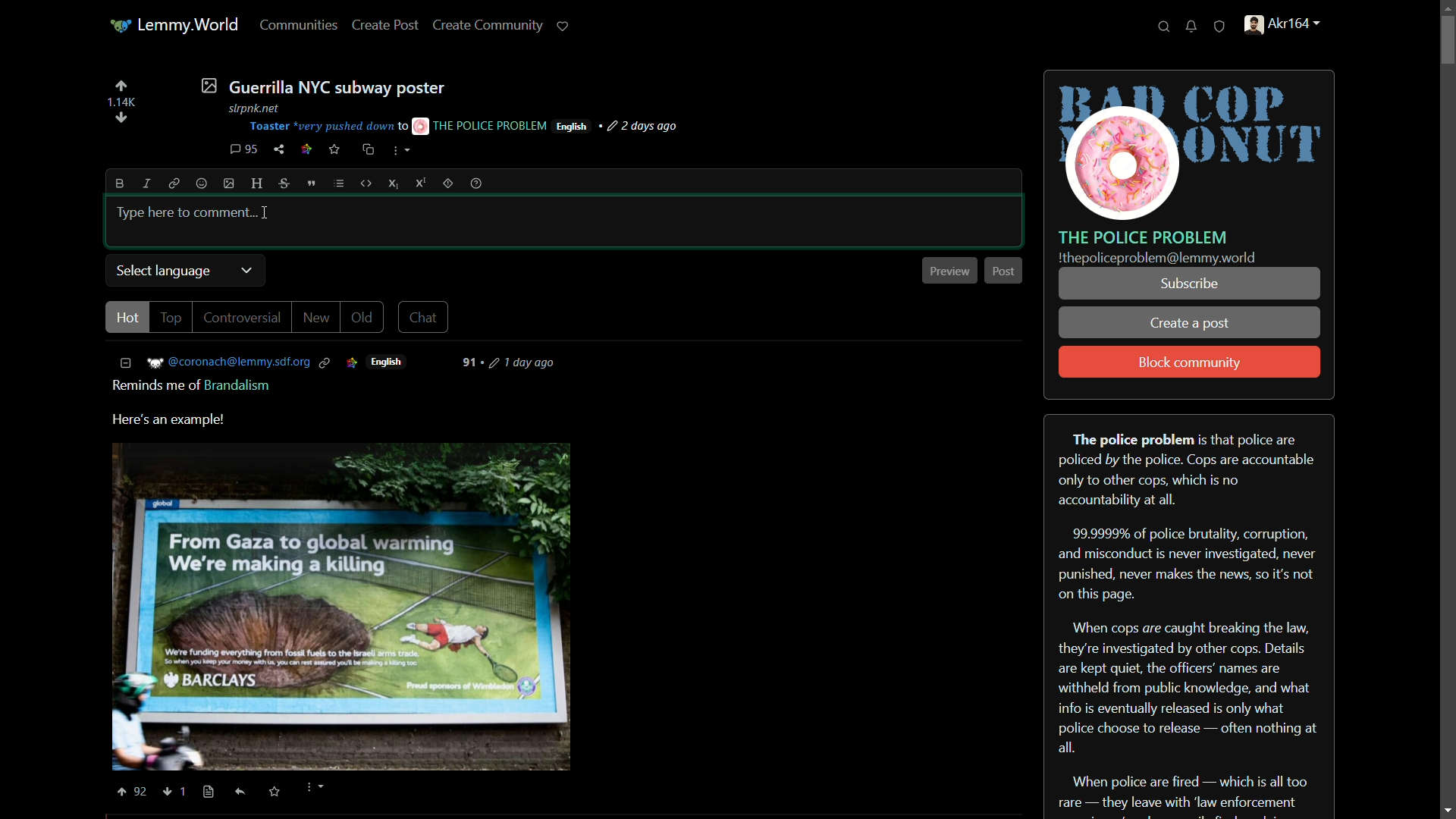 The width and height of the screenshot is (1456, 819). What do you see at coordinates (171, 183) in the screenshot?
I see `link` at bounding box center [171, 183].